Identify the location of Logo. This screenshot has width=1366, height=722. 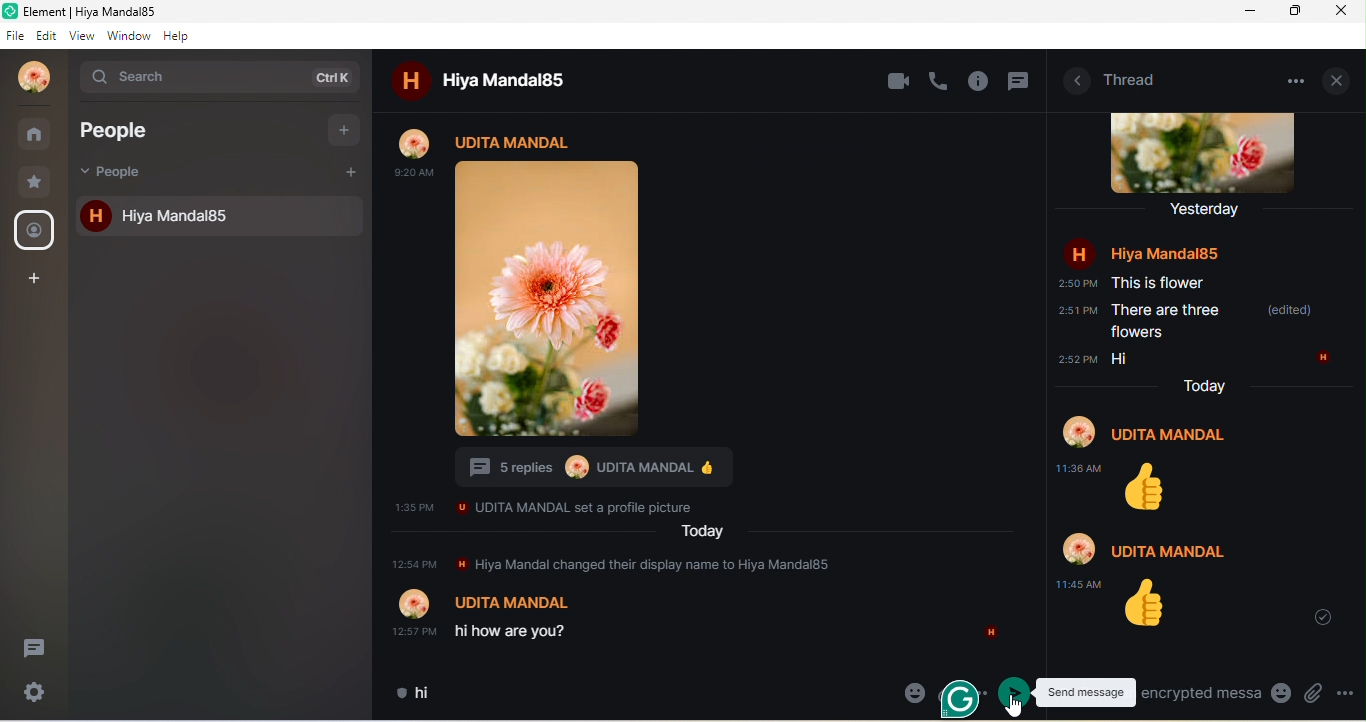
(11, 10).